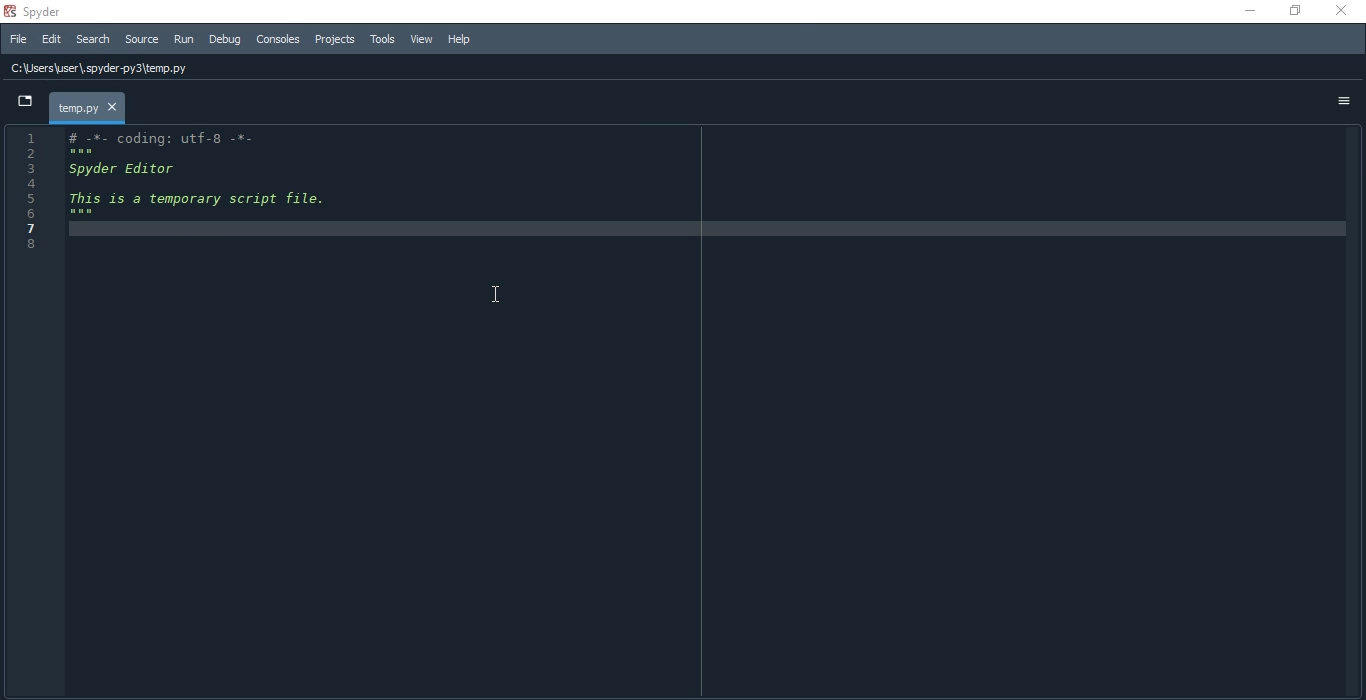 The height and width of the screenshot is (700, 1366). What do you see at coordinates (20, 104) in the screenshot?
I see `dropdown` at bounding box center [20, 104].